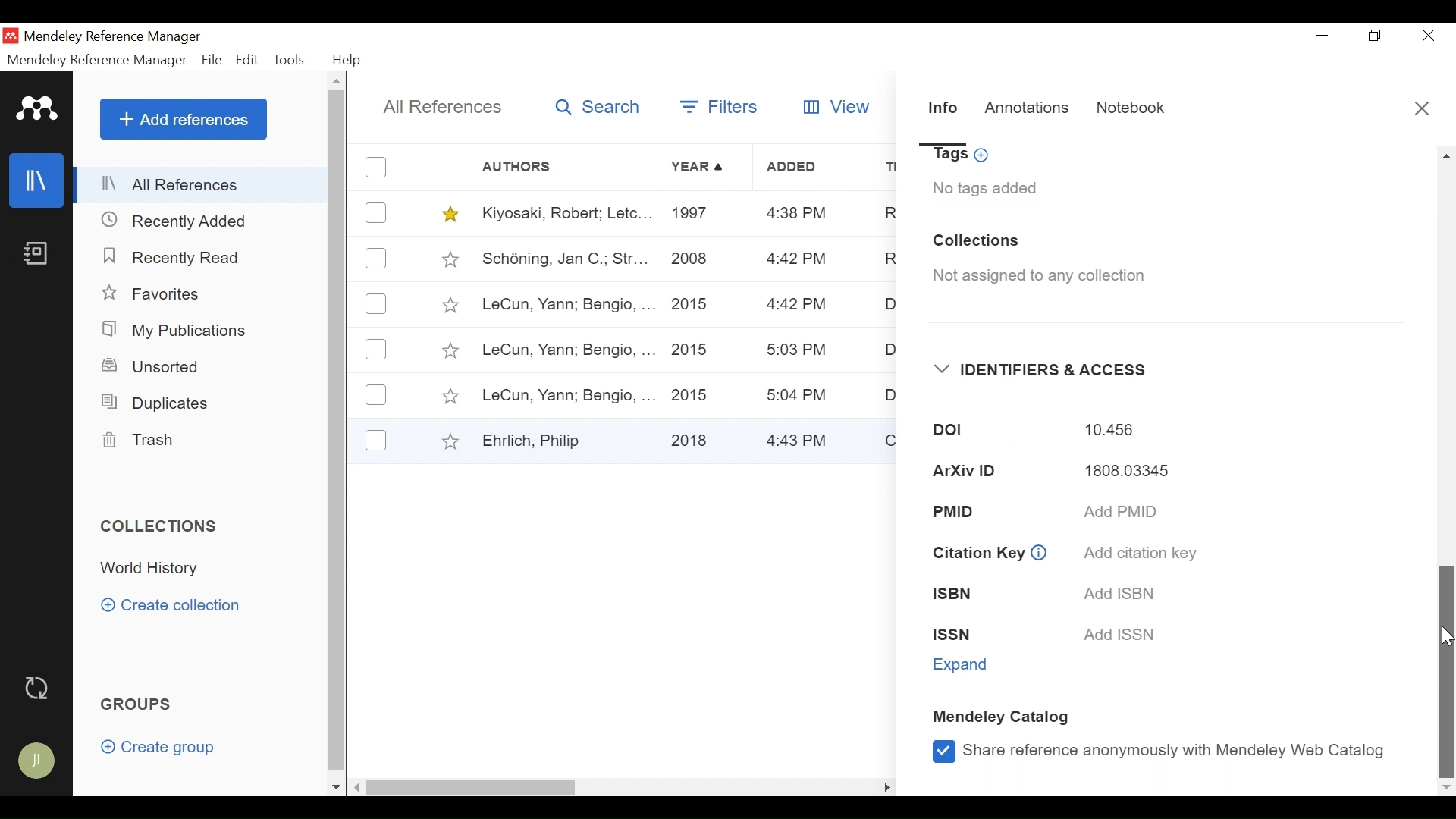  I want to click on scroll right, so click(886, 786).